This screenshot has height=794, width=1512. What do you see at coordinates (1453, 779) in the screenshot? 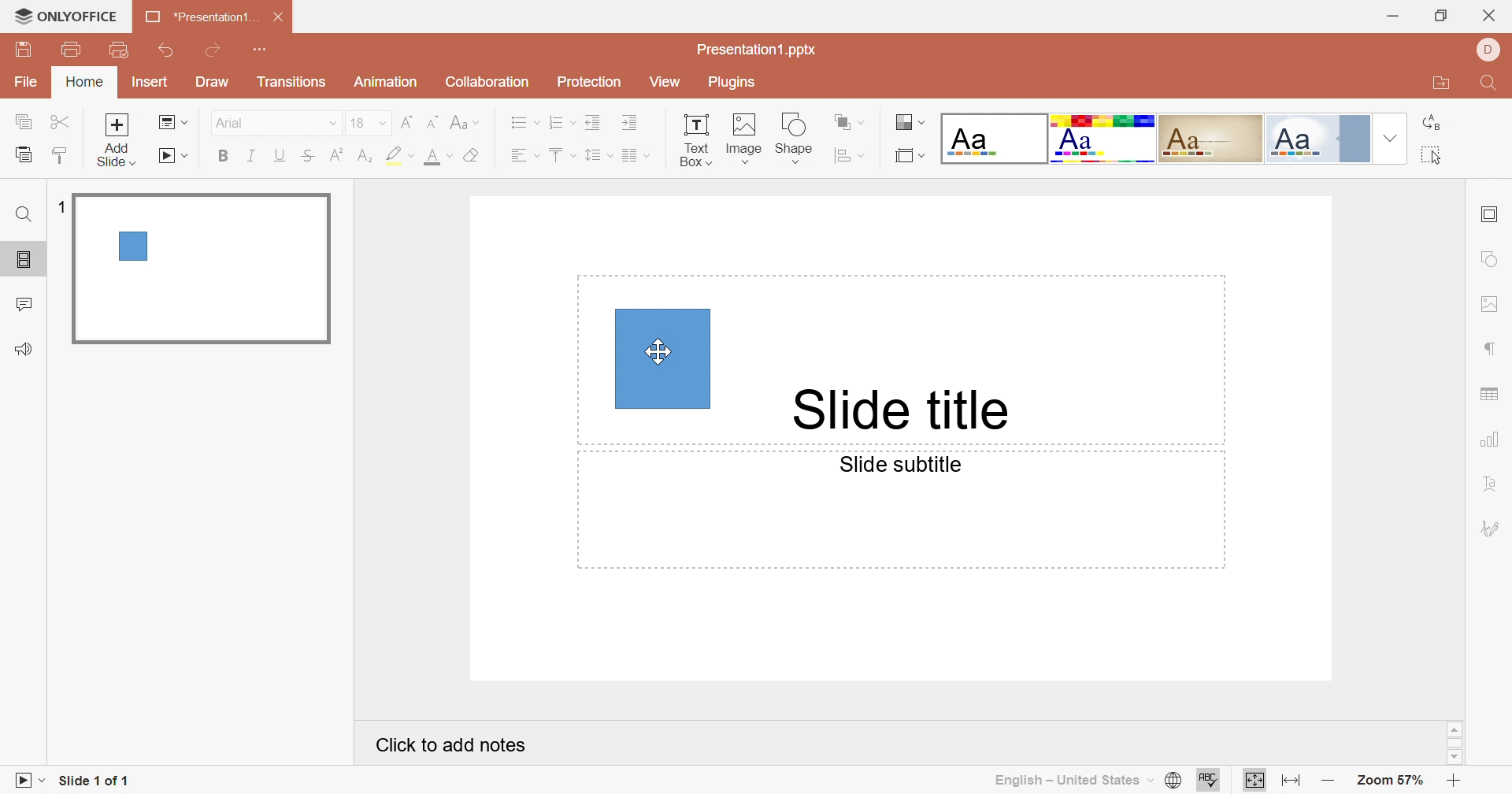
I see `Zoom in` at bounding box center [1453, 779].